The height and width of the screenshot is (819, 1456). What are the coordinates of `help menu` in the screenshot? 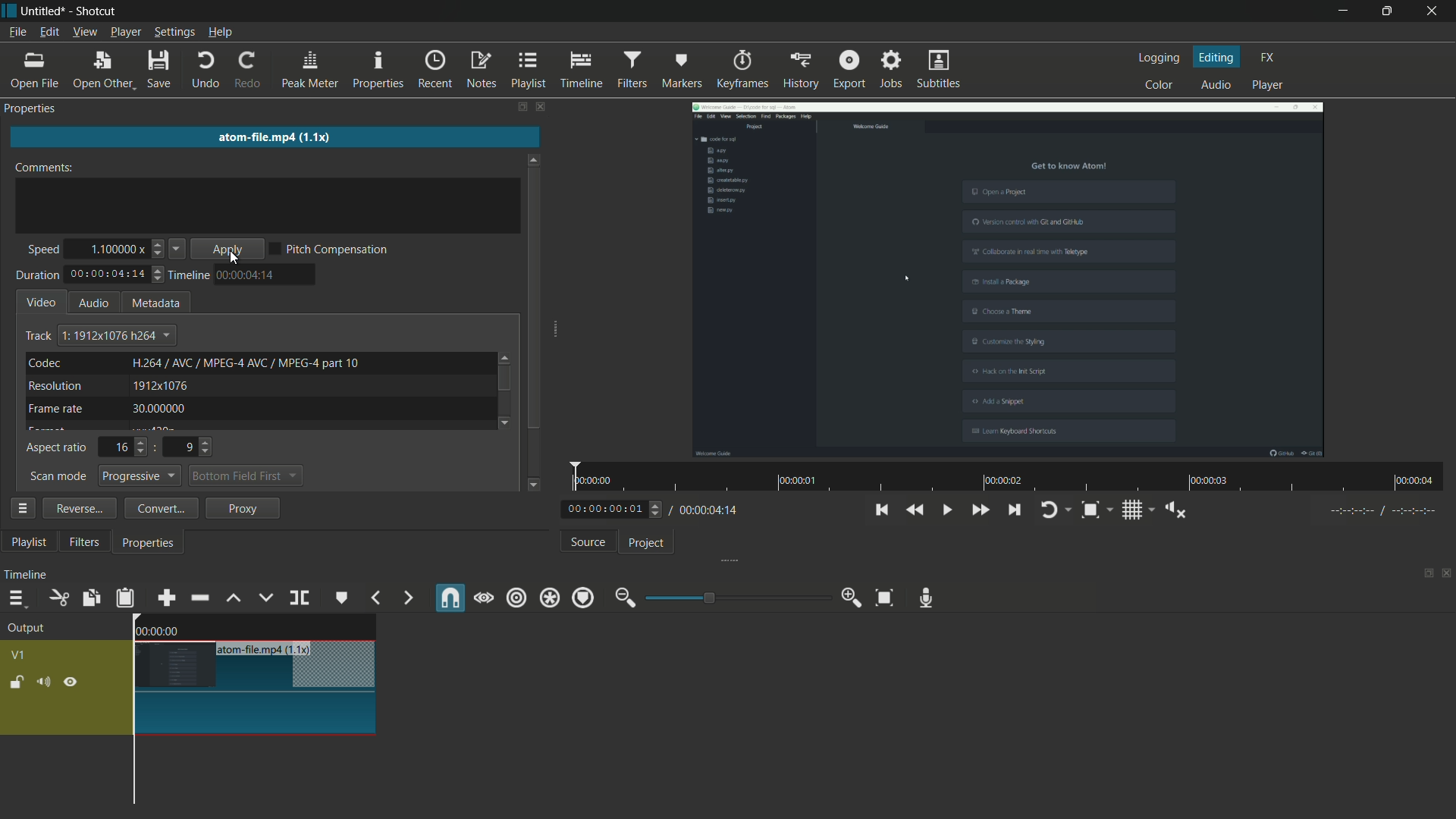 It's located at (219, 34).